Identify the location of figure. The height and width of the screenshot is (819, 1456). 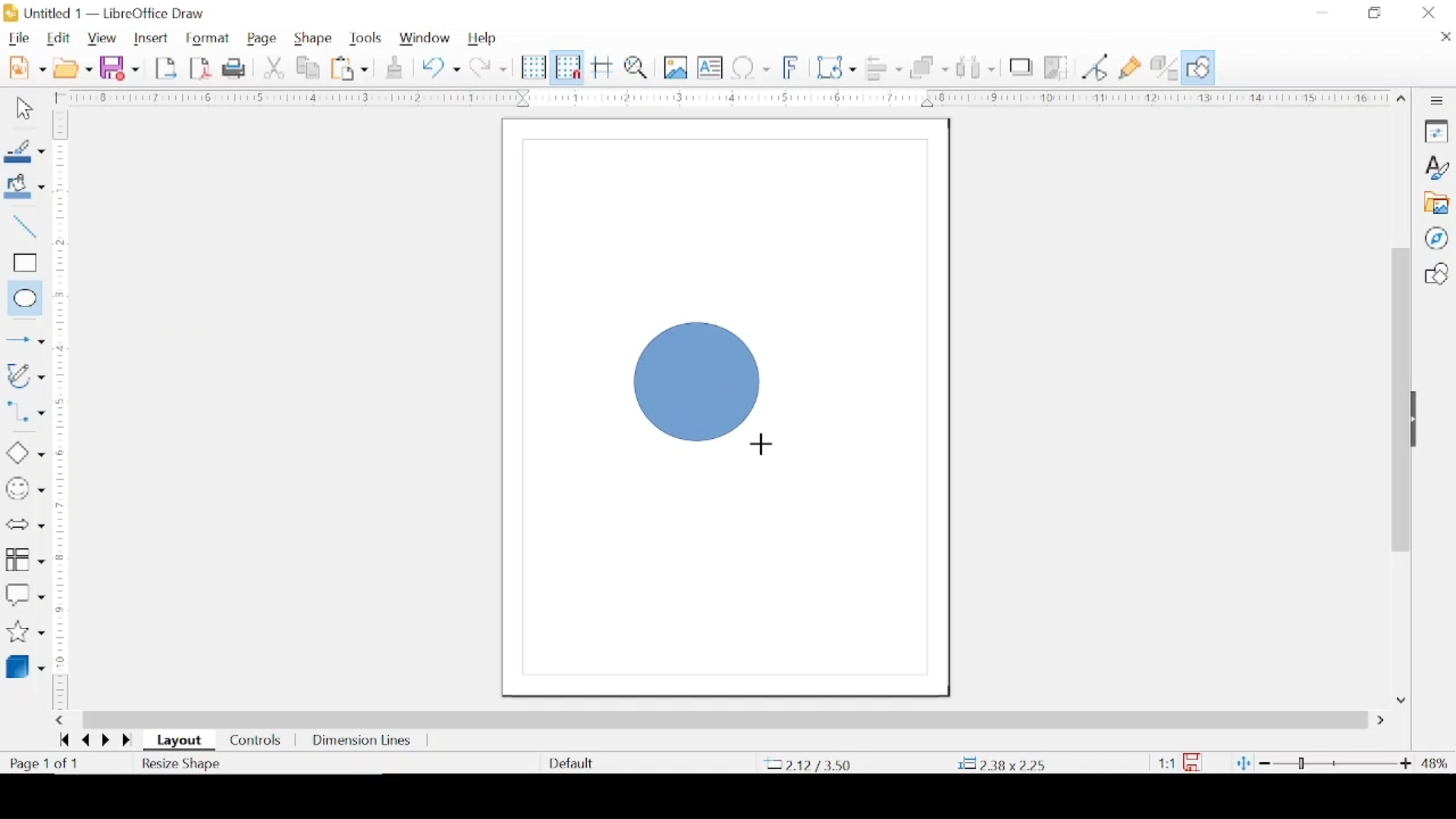
(694, 381).